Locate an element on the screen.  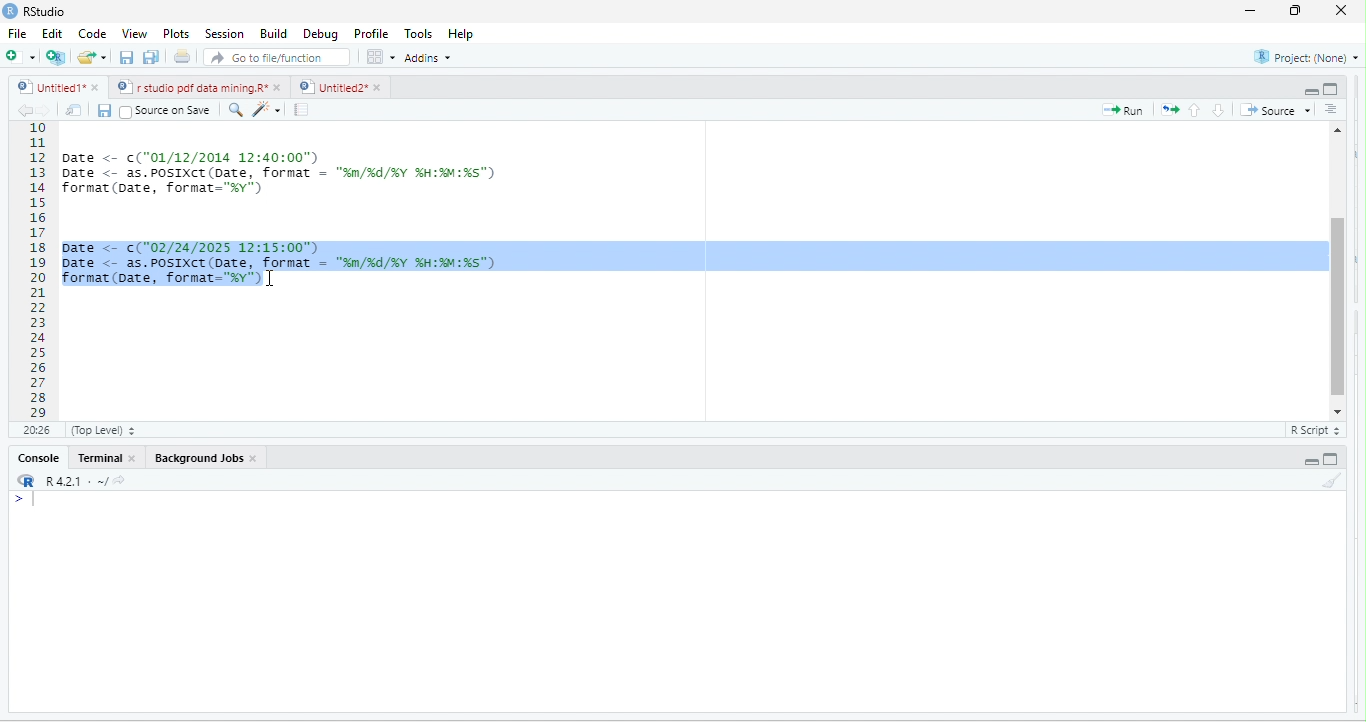
Plots is located at coordinates (176, 35).